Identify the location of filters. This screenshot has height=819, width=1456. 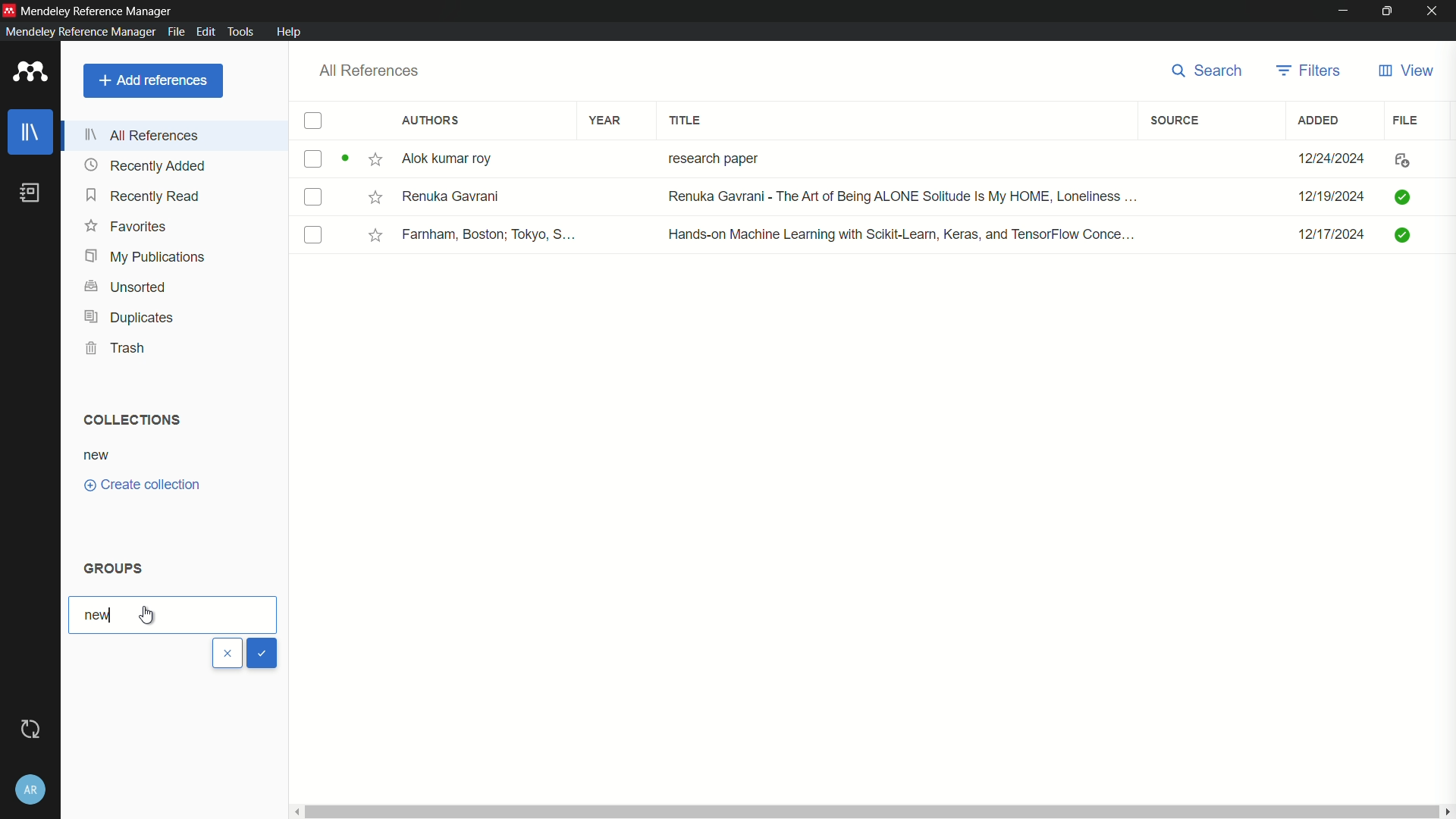
(1309, 70).